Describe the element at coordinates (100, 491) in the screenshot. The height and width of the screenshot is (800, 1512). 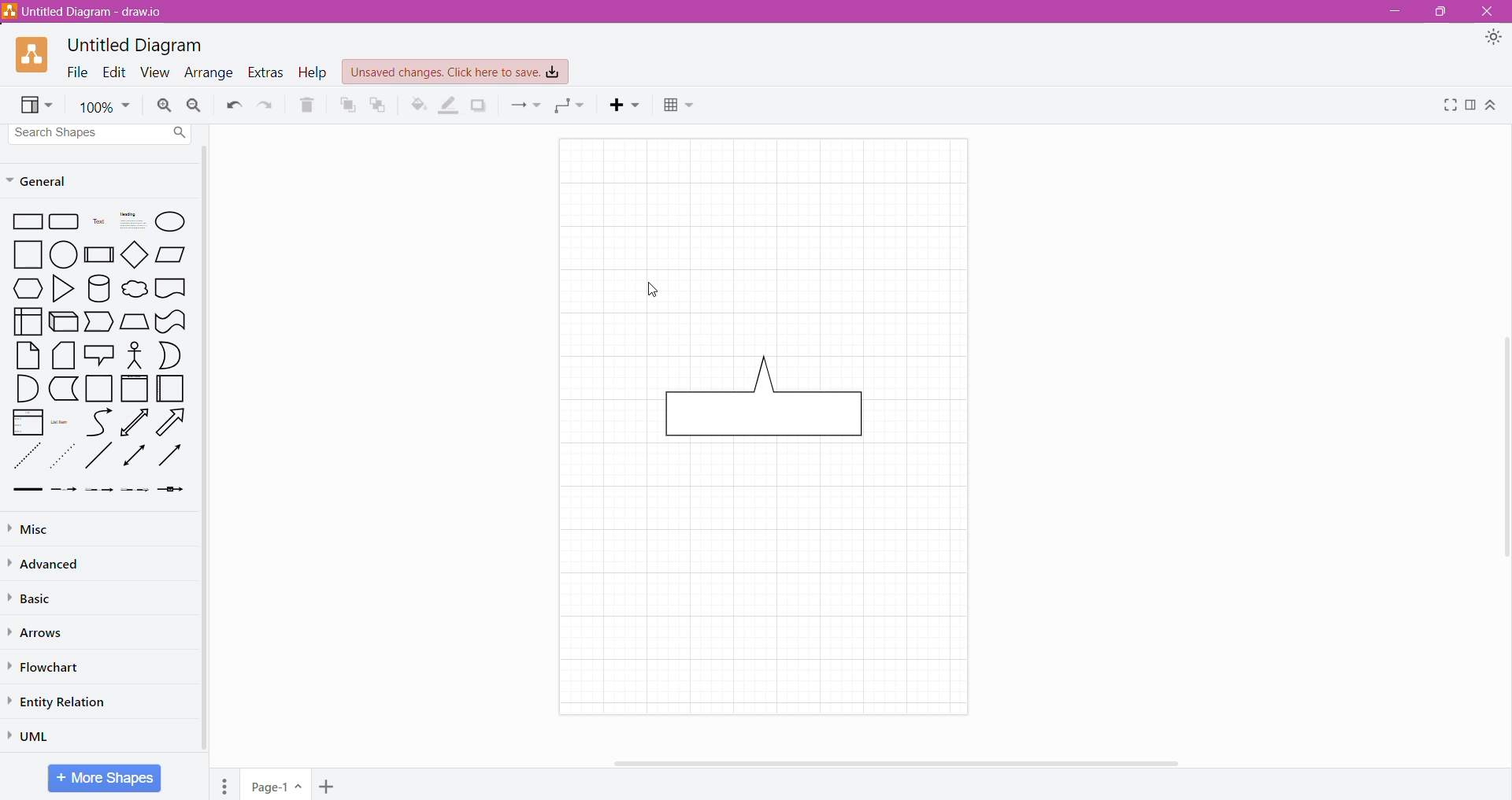
I see `Thin Arrow ` at that location.